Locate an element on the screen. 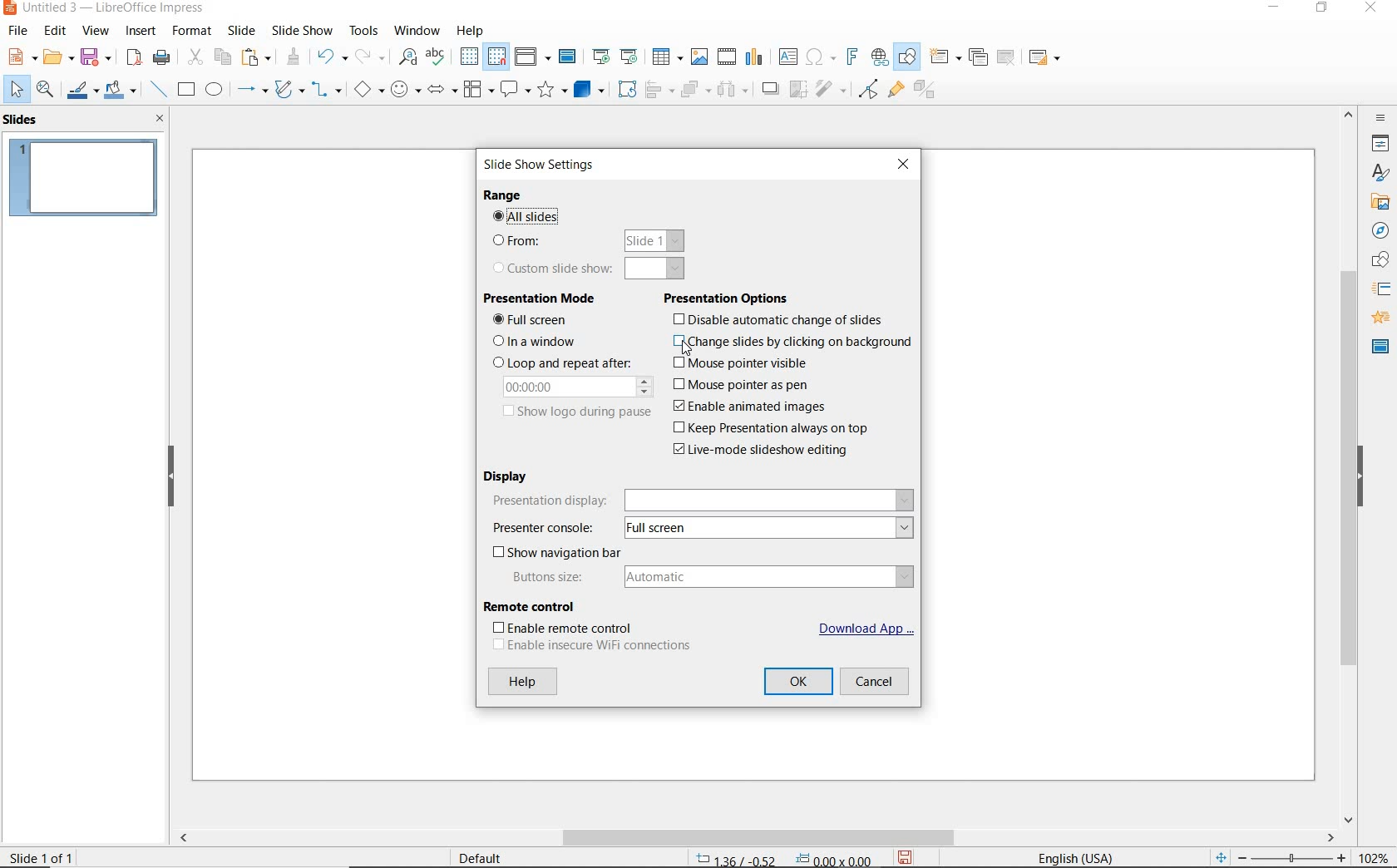  SLIDE is located at coordinates (245, 31).